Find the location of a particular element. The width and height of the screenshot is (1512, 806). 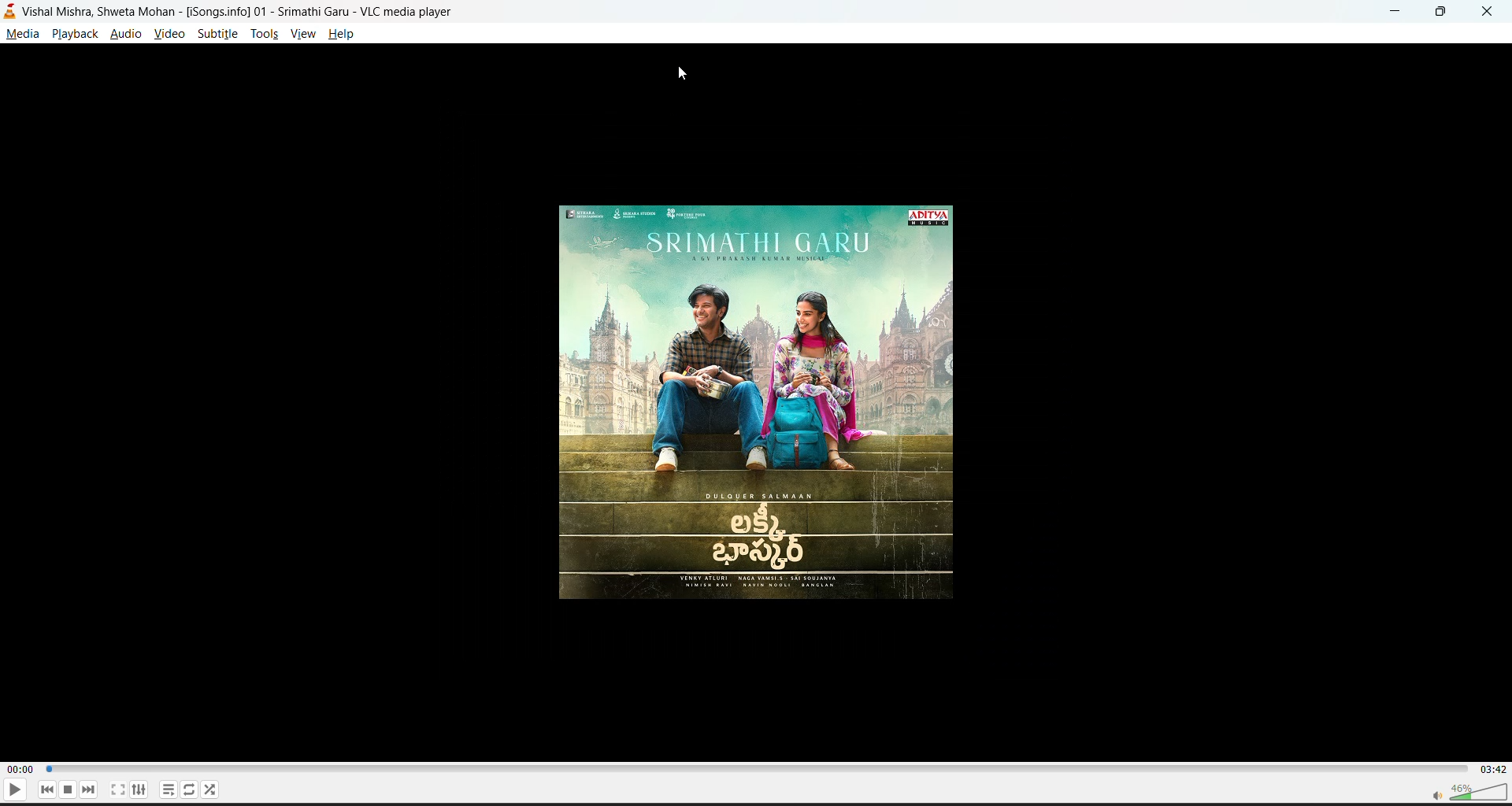

tools is located at coordinates (261, 35).